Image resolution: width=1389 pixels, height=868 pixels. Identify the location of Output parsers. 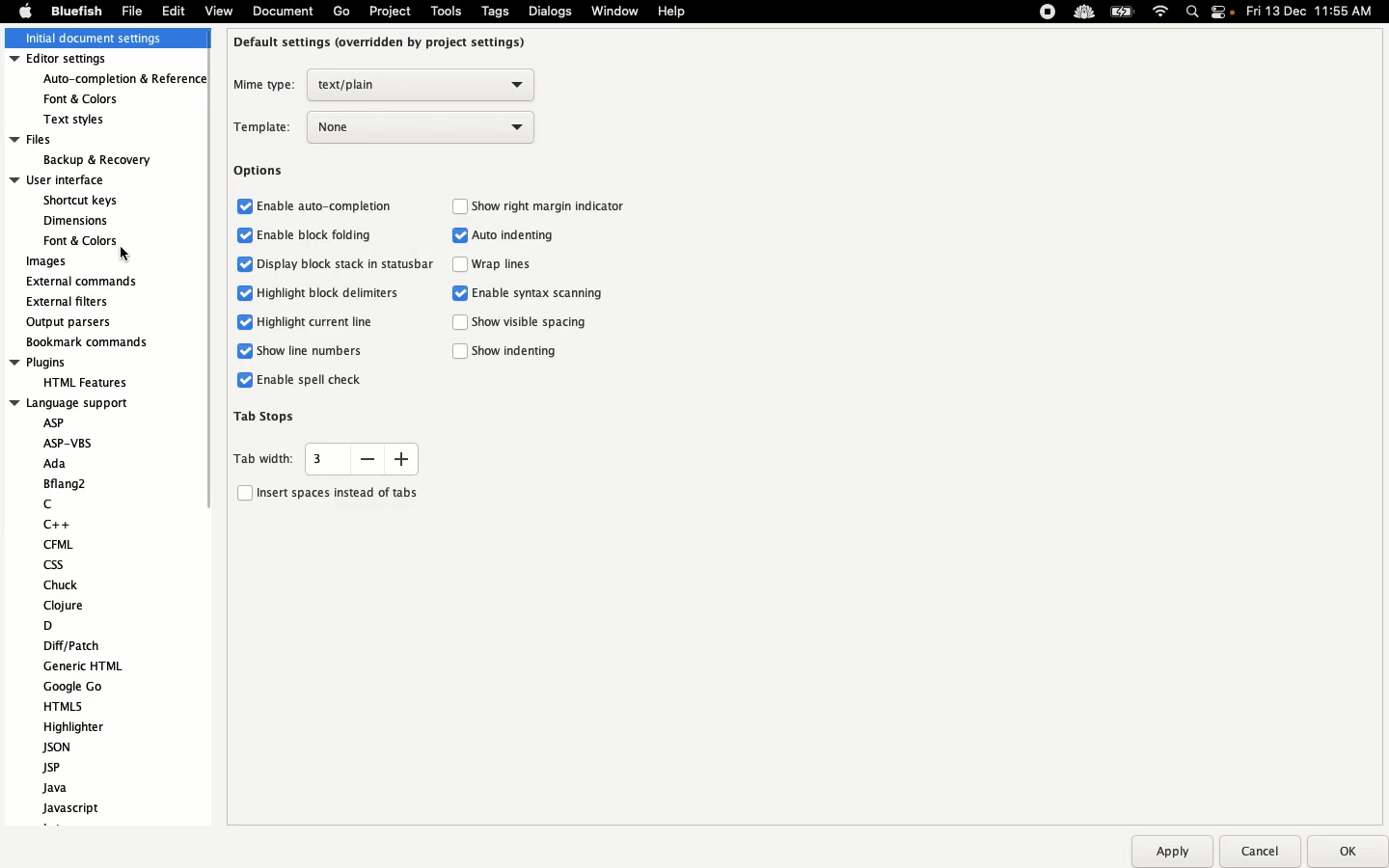
(73, 322).